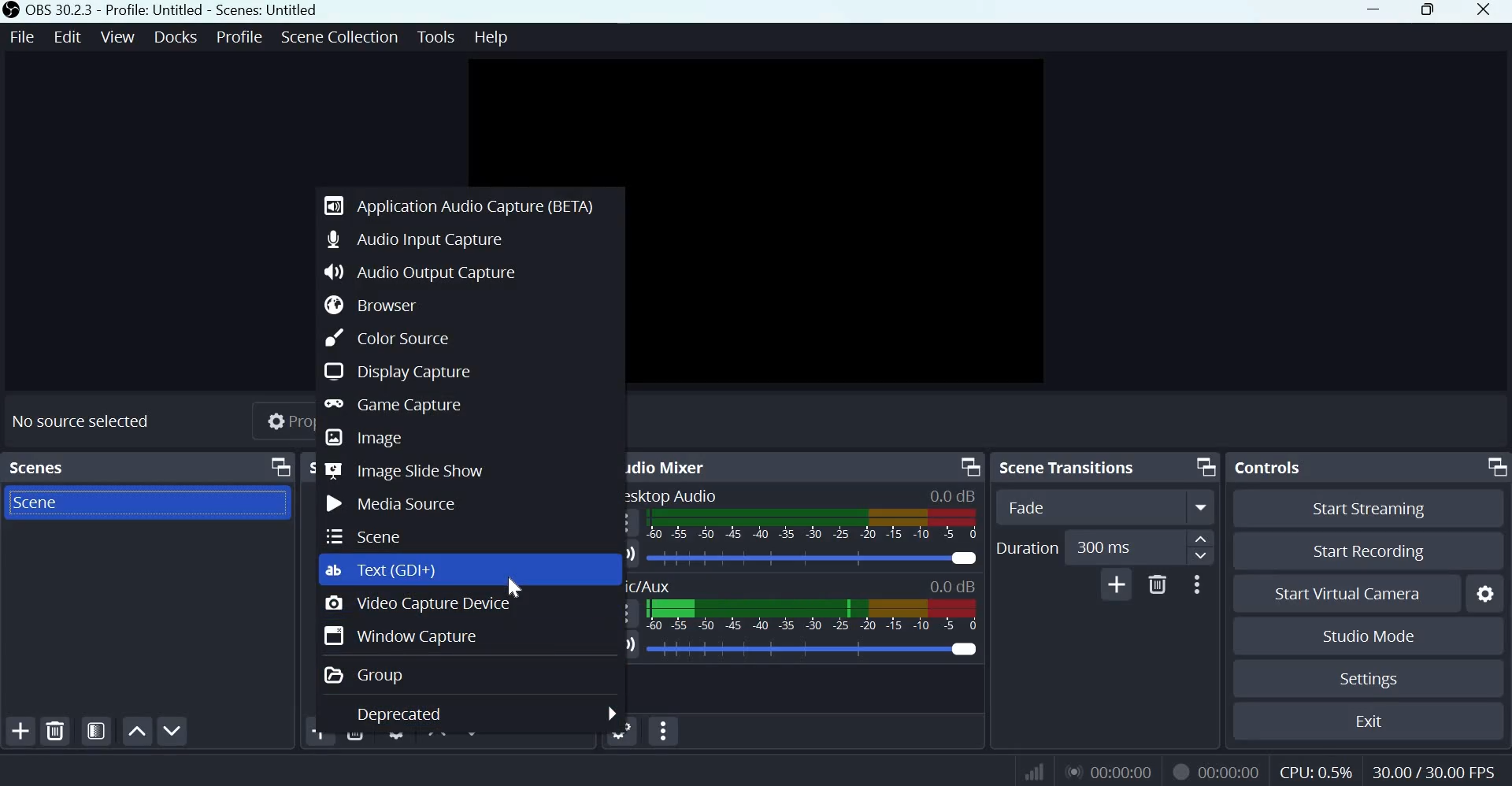 The width and height of the screenshot is (1512, 786). What do you see at coordinates (57, 732) in the screenshot?
I see `Remove selected scene` at bounding box center [57, 732].